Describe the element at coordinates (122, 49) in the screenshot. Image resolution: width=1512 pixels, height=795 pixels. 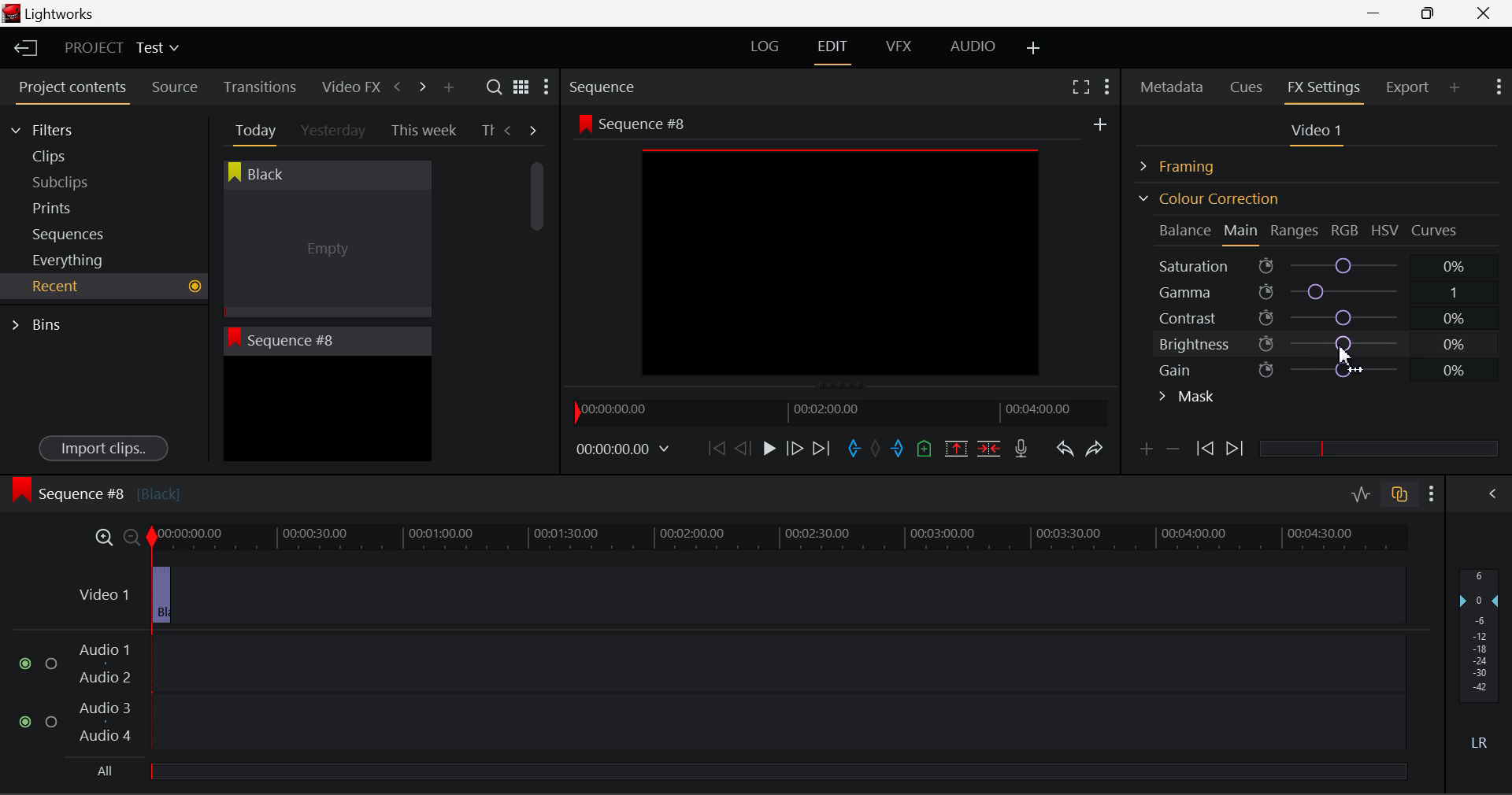
I see `Project Title` at that location.